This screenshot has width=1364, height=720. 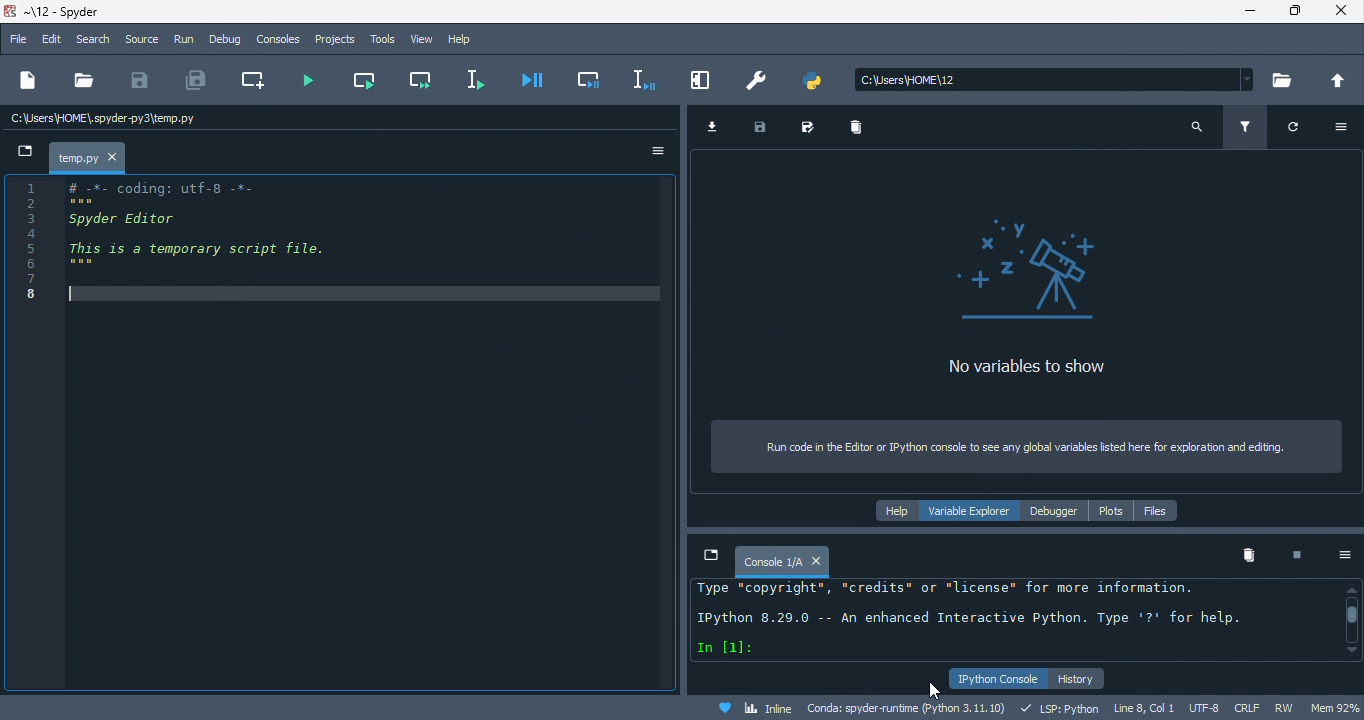 I want to click on delete, so click(x=861, y=130).